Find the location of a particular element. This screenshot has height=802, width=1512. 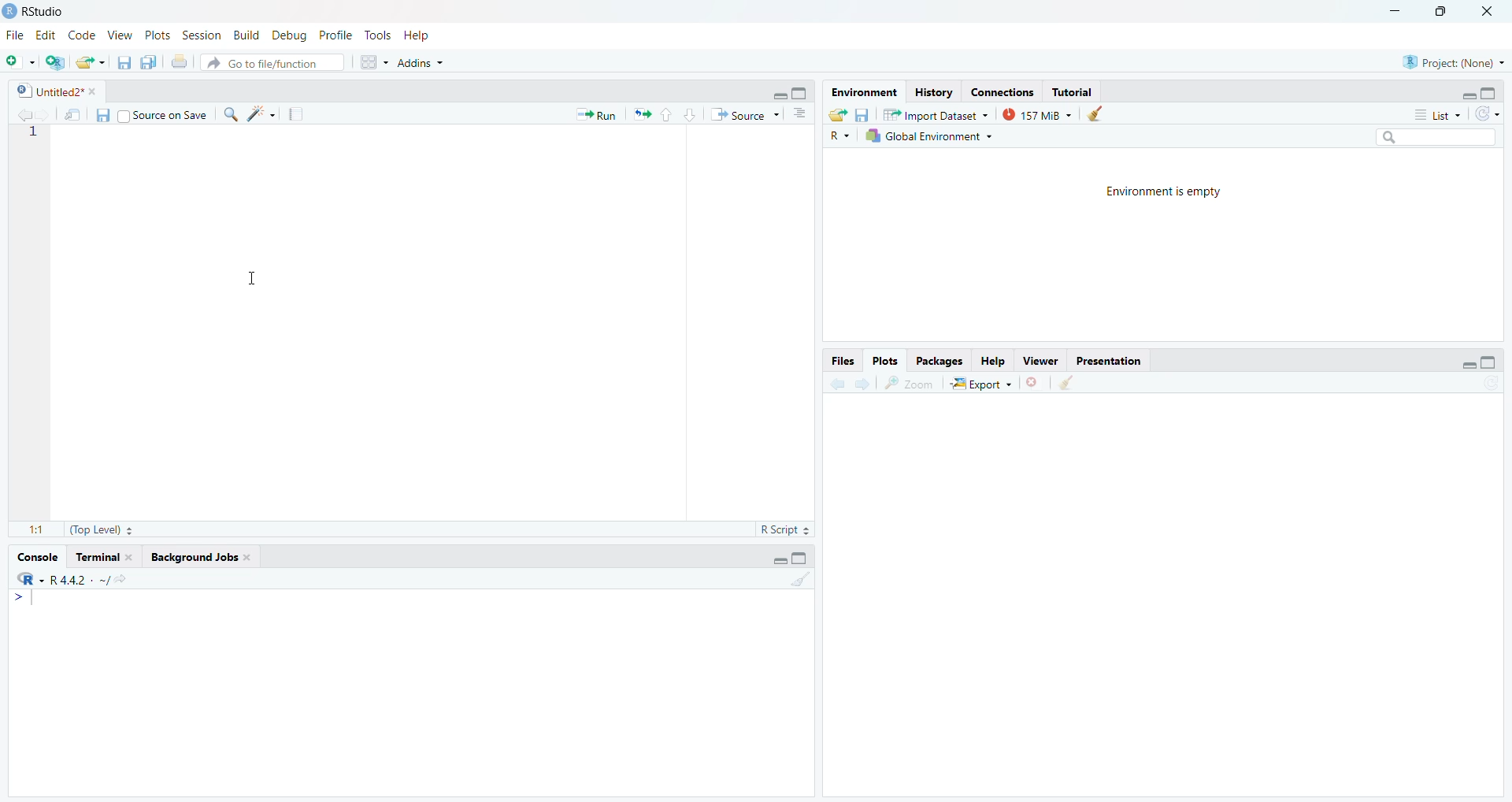

Build is located at coordinates (245, 34).